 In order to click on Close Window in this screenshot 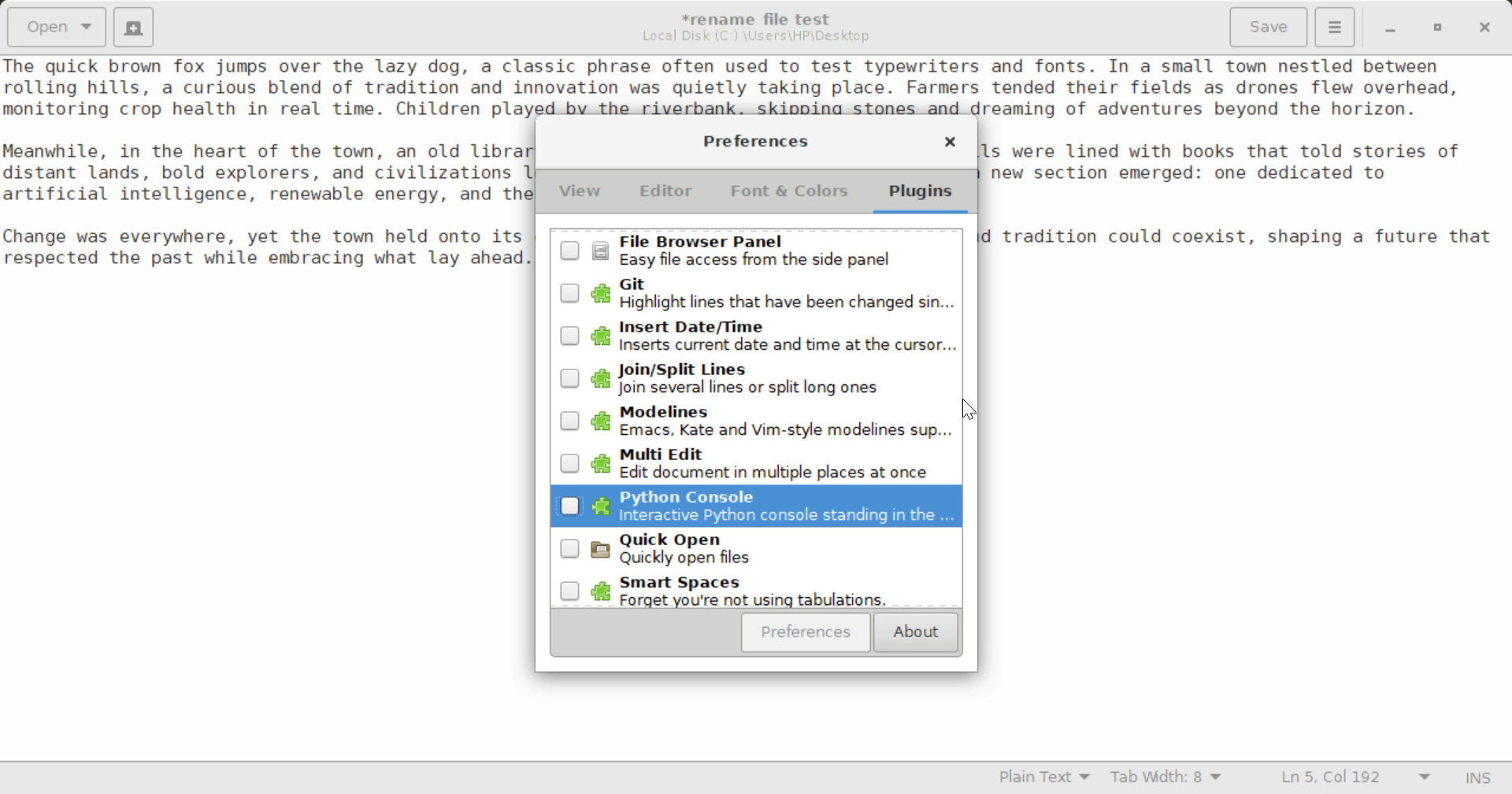, I will do `click(950, 144)`.